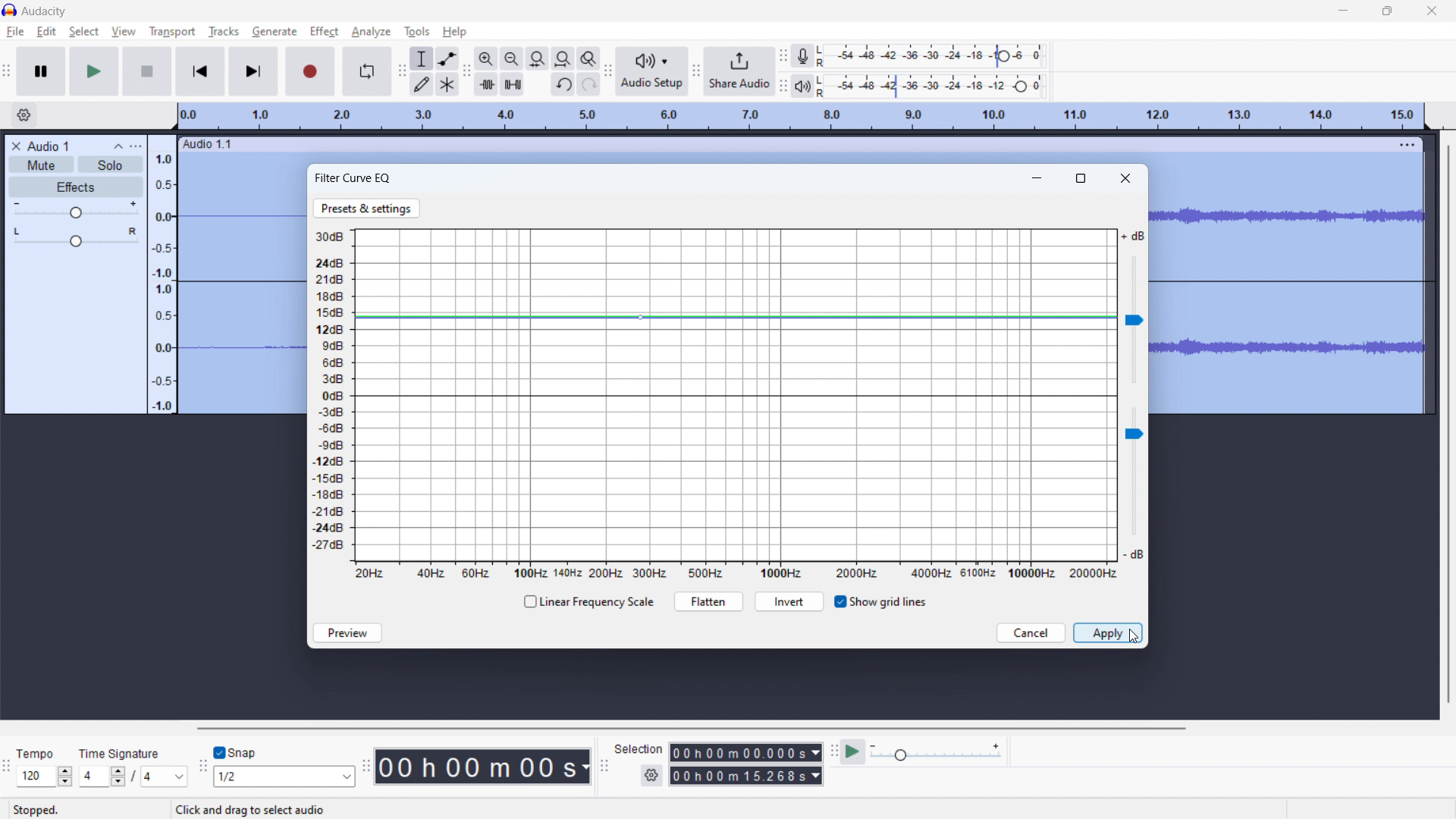 This screenshot has height=819, width=1456. What do you see at coordinates (563, 58) in the screenshot?
I see `fit project to width` at bounding box center [563, 58].